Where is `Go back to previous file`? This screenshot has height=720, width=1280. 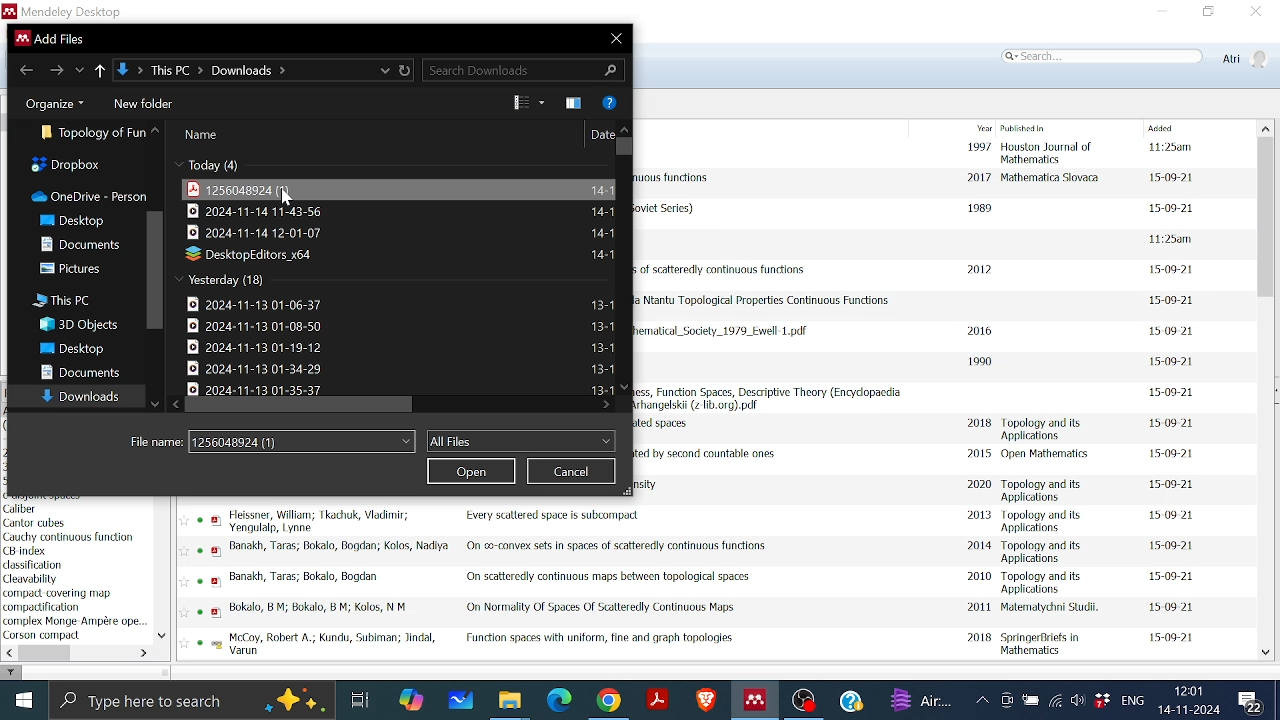 Go back to previous file is located at coordinates (27, 69).